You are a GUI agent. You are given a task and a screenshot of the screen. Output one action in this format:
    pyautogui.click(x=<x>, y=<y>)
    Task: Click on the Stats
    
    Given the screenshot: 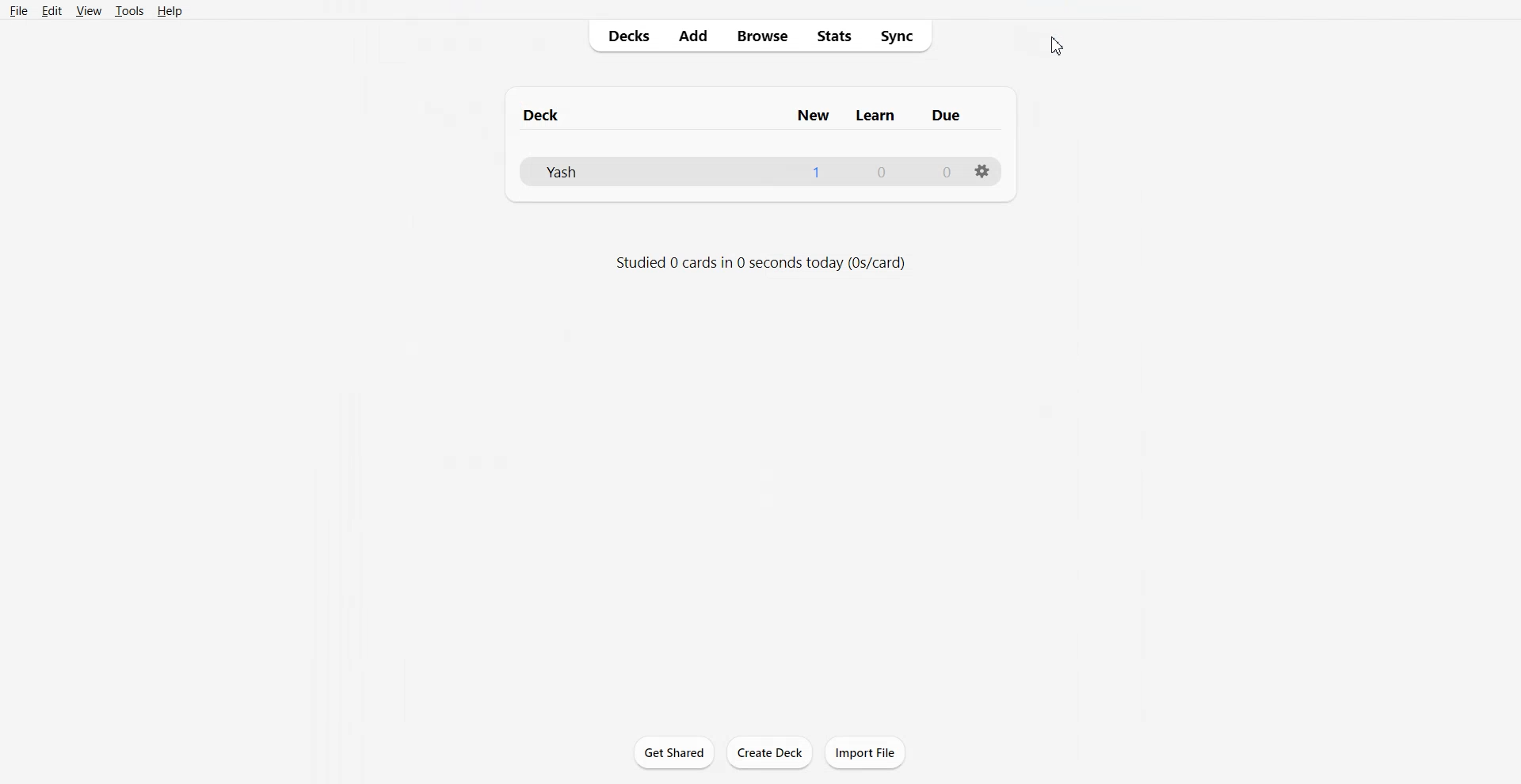 What is the action you would take?
    pyautogui.click(x=833, y=36)
    